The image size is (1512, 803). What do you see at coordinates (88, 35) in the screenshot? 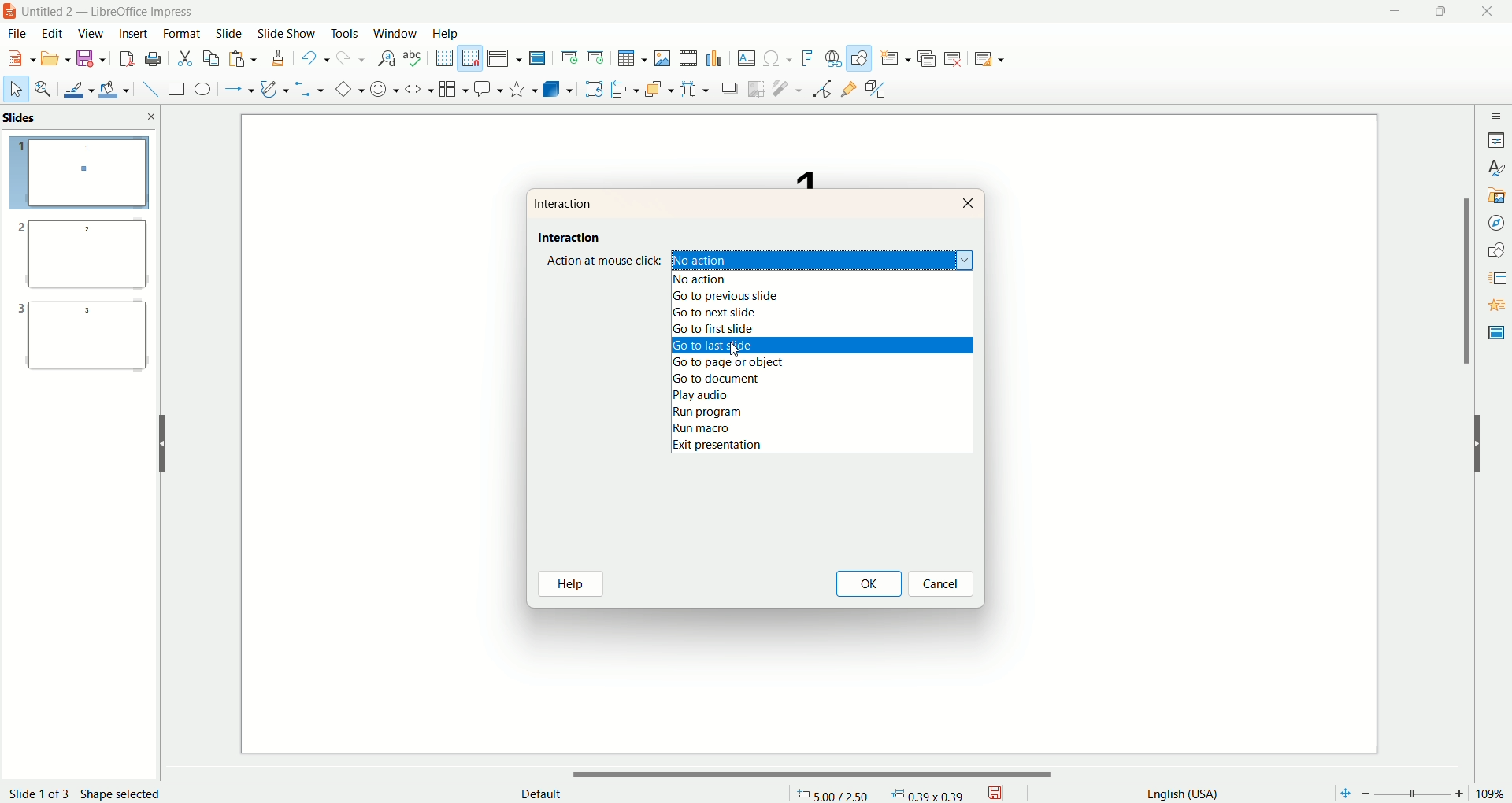
I see `view` at bounding box center [88, 35].